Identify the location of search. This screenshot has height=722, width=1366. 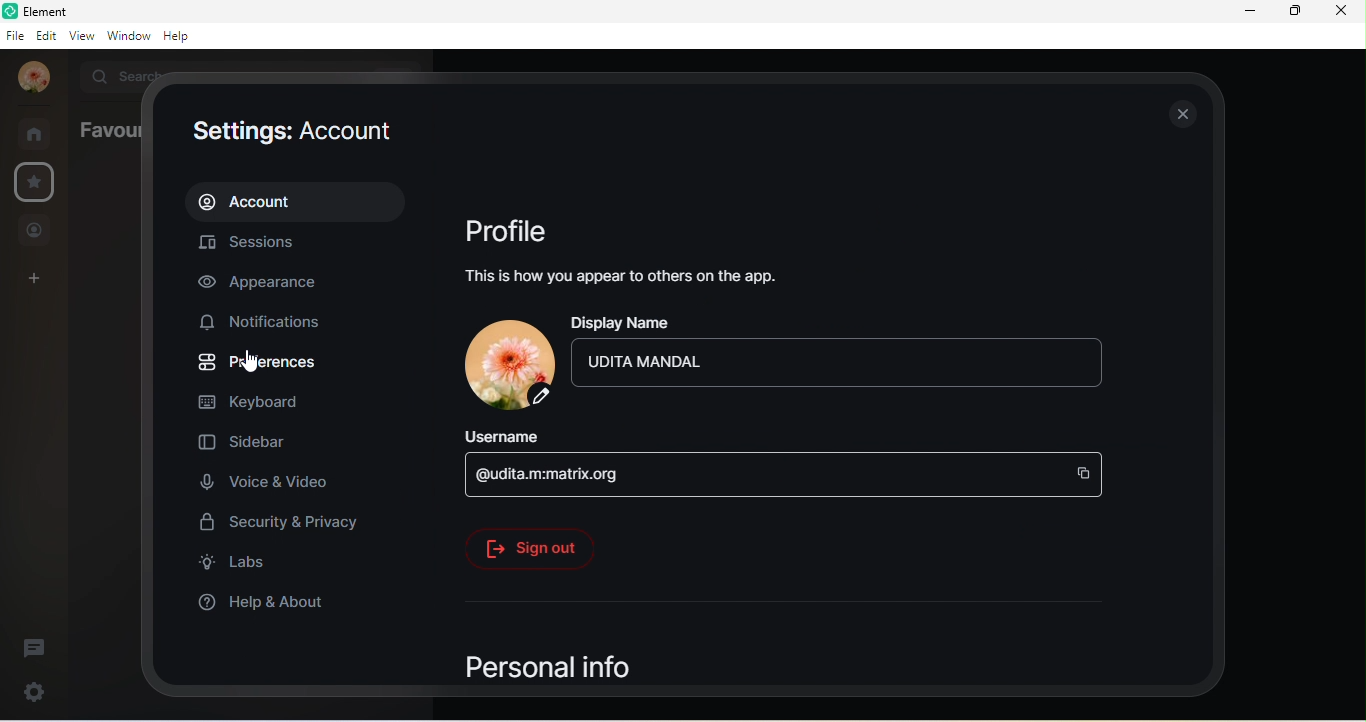
(114, 75).